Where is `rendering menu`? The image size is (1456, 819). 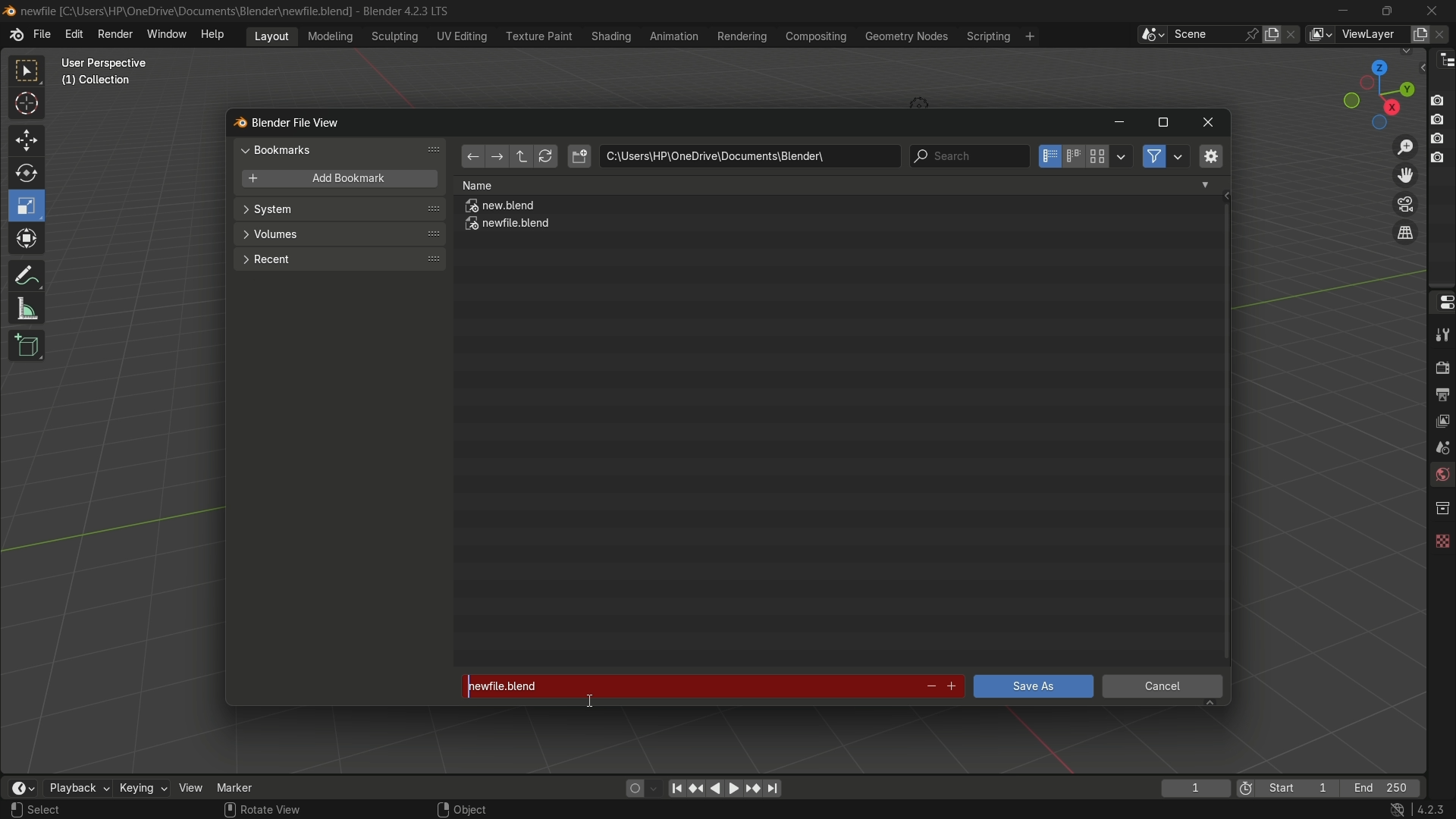
rendering menu is located at coordinates (744, 36).